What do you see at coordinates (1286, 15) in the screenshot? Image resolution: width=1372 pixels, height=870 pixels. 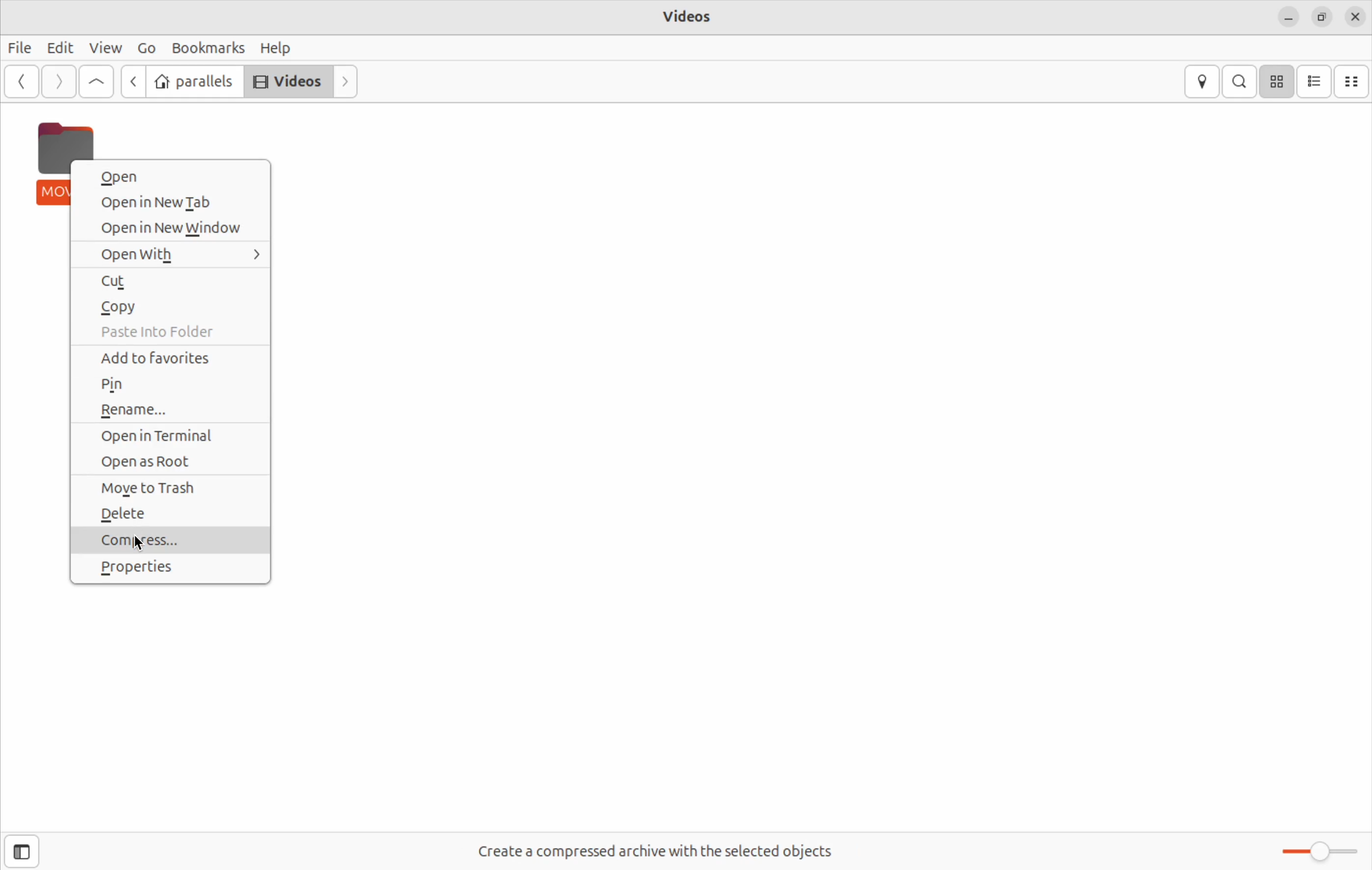 I see `minimize` at bounding box center [1286, 15].